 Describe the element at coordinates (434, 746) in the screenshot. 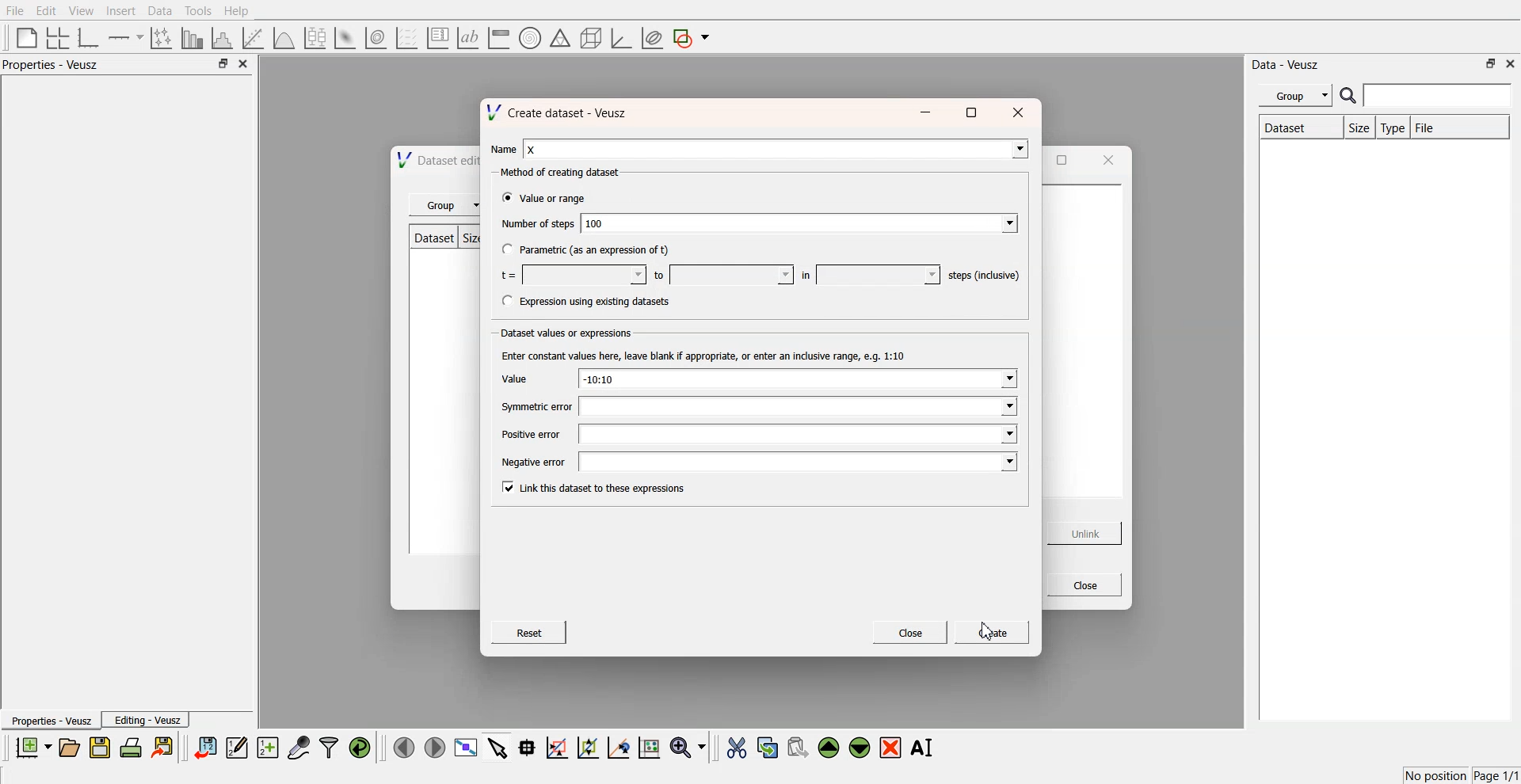

I see `move right` at that location.